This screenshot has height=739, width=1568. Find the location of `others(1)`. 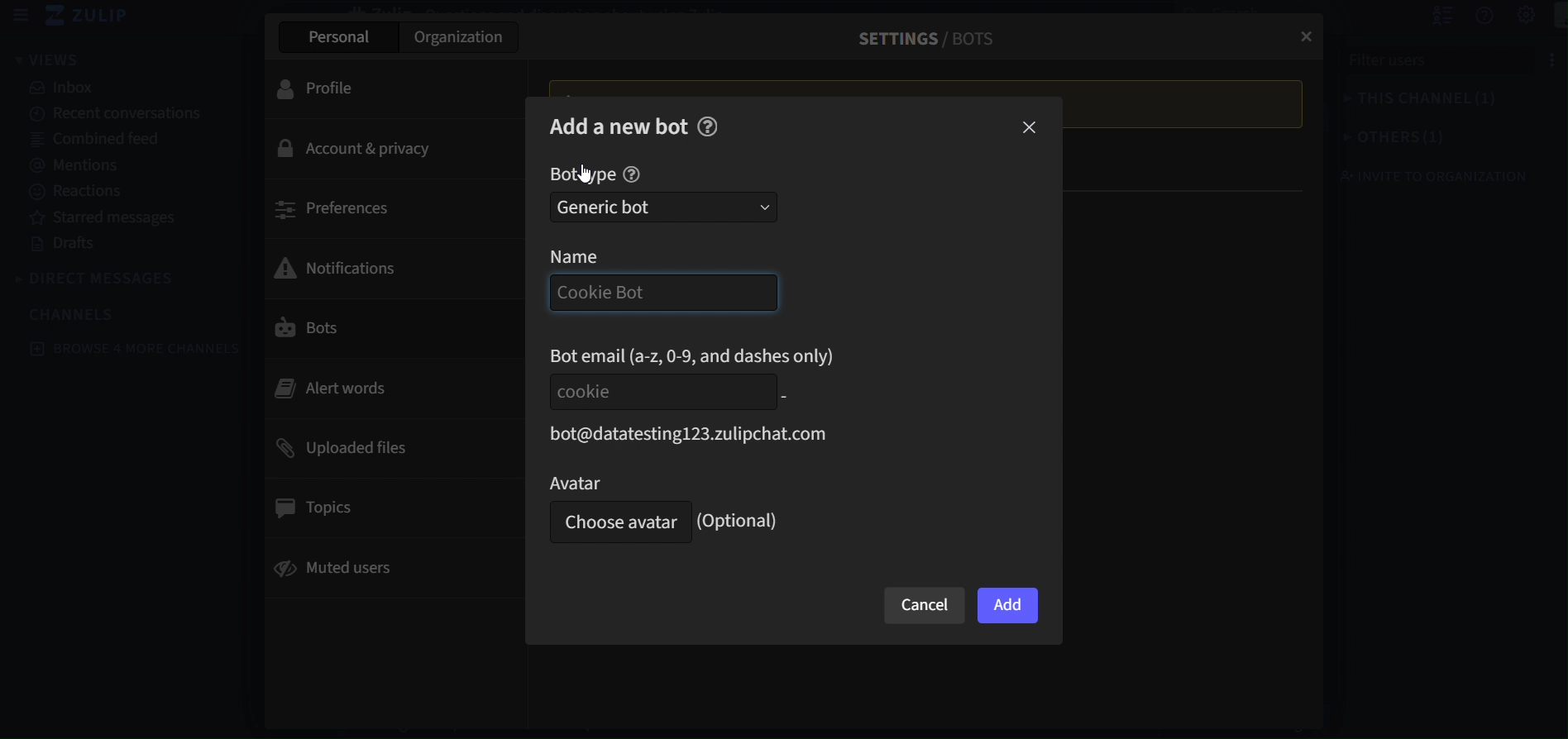

others(1) is located at coordinates (1377, 139).